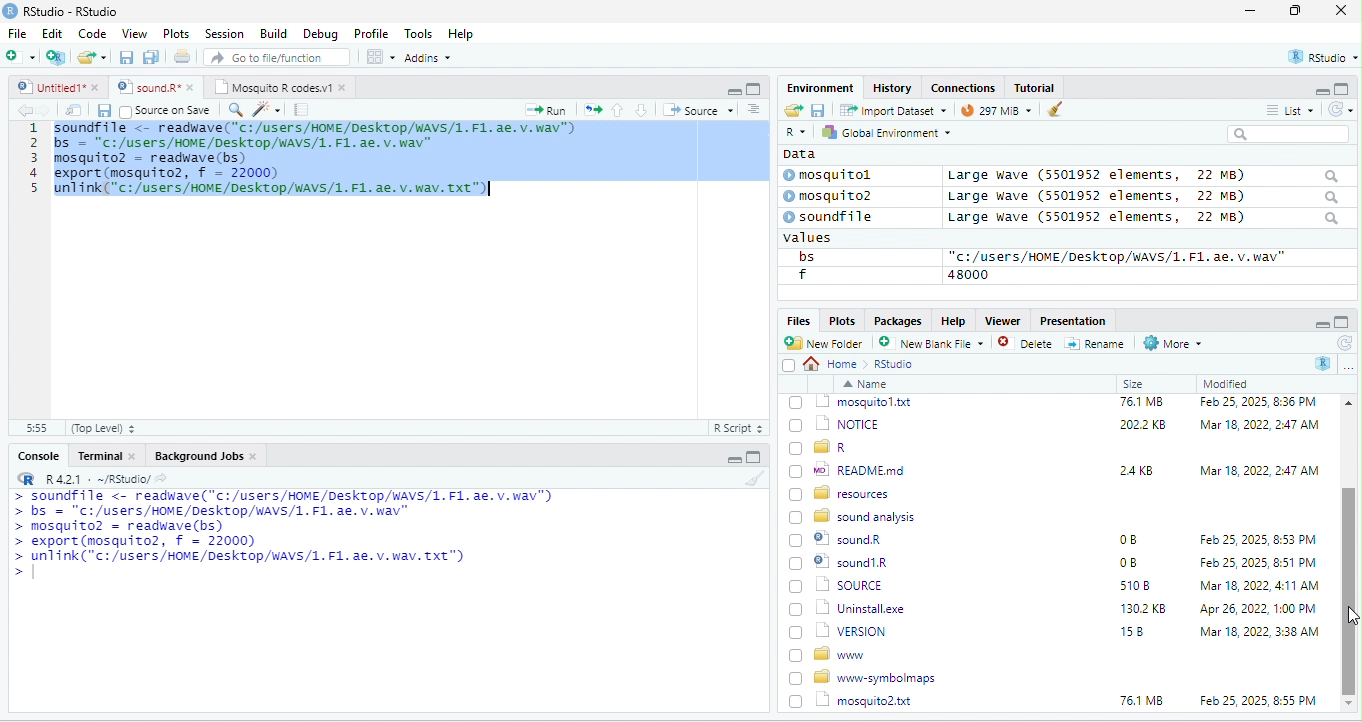  Describe the element at coordinates (167, 112) in the screenshot. I see `source on Save` at that location.